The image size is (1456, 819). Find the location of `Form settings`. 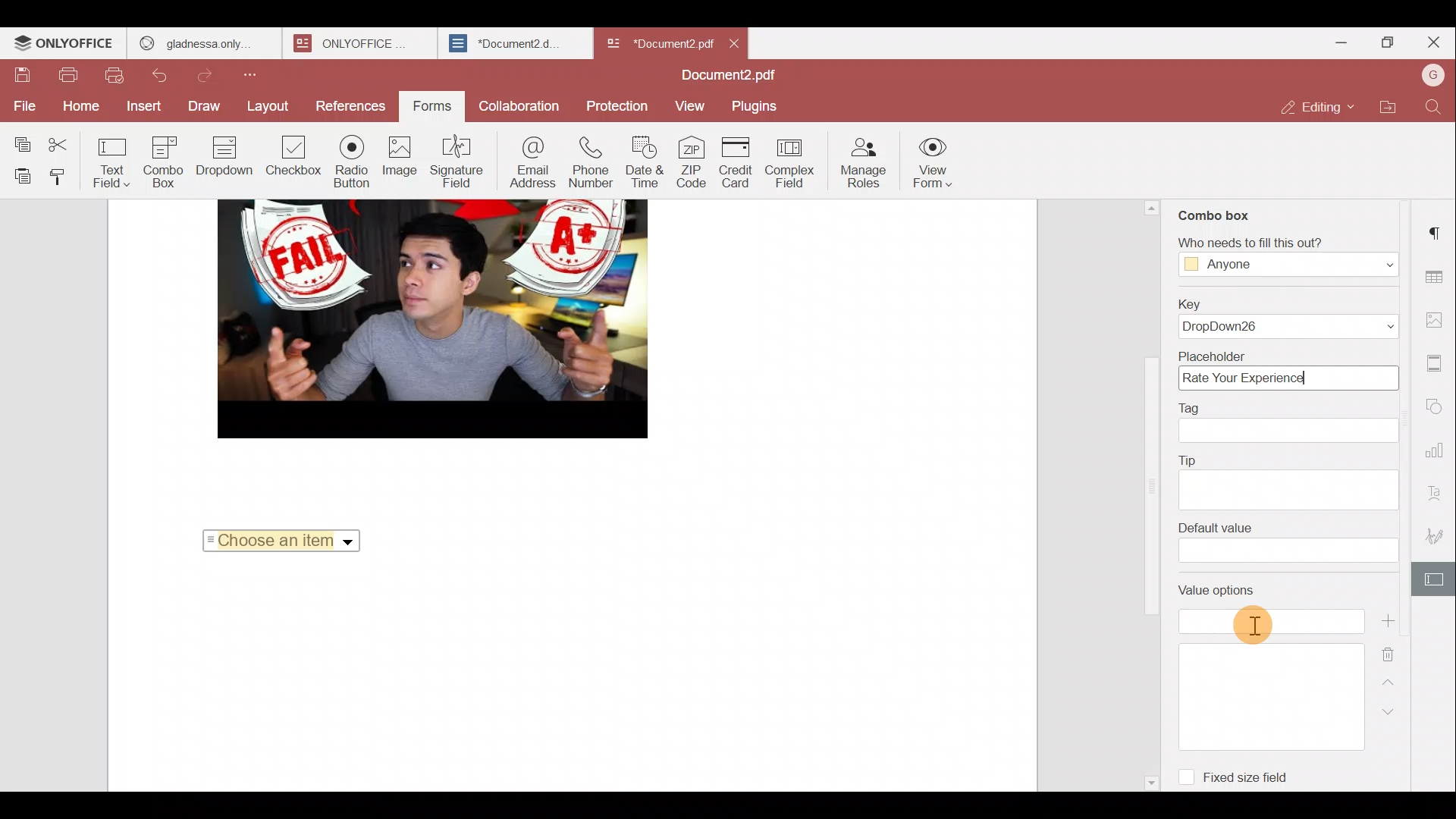

Form settings is located at coordinates (1435, 579).